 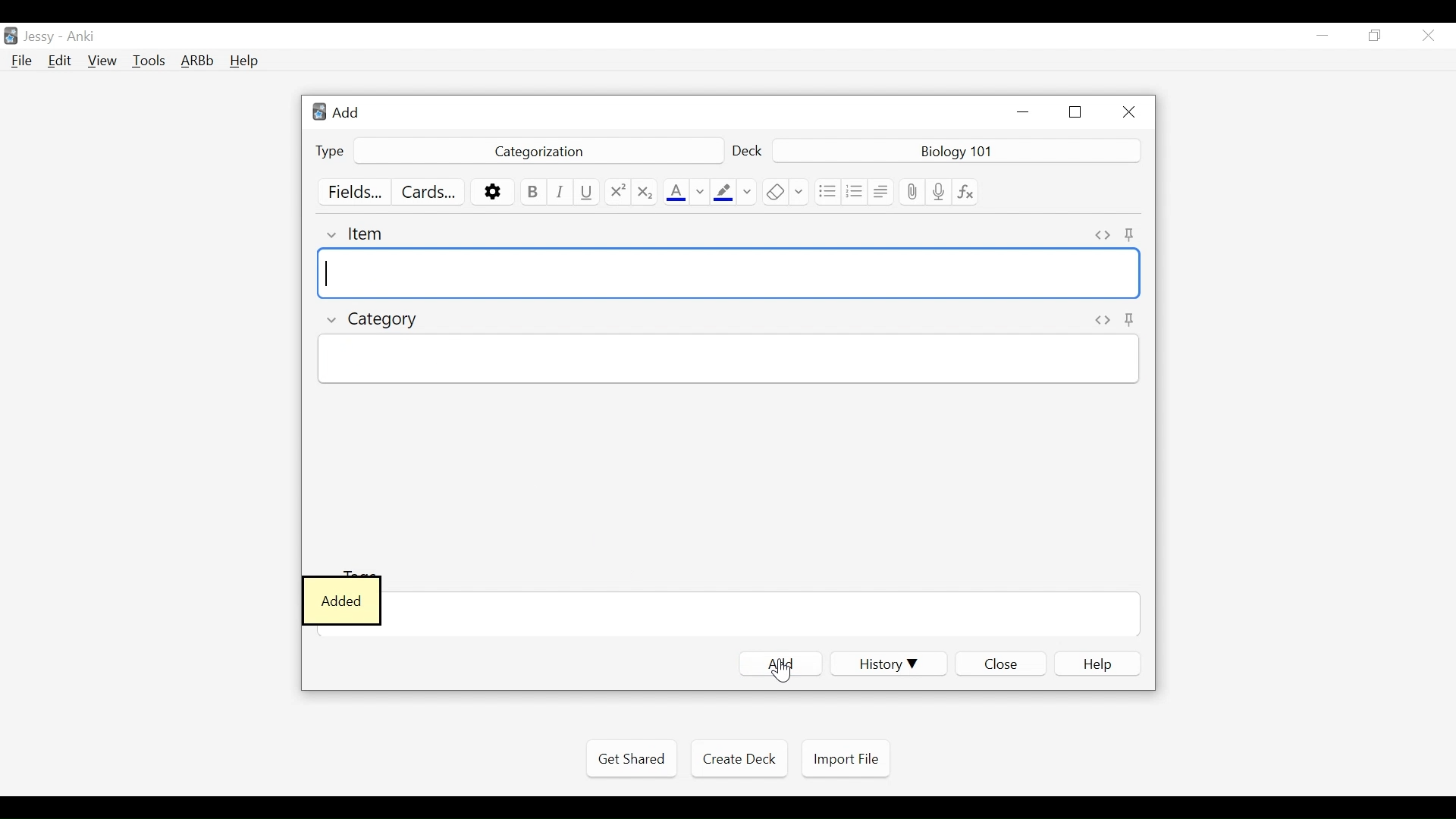 I want to click on Toggle HTML Editor, so click(x=1103, y=322).